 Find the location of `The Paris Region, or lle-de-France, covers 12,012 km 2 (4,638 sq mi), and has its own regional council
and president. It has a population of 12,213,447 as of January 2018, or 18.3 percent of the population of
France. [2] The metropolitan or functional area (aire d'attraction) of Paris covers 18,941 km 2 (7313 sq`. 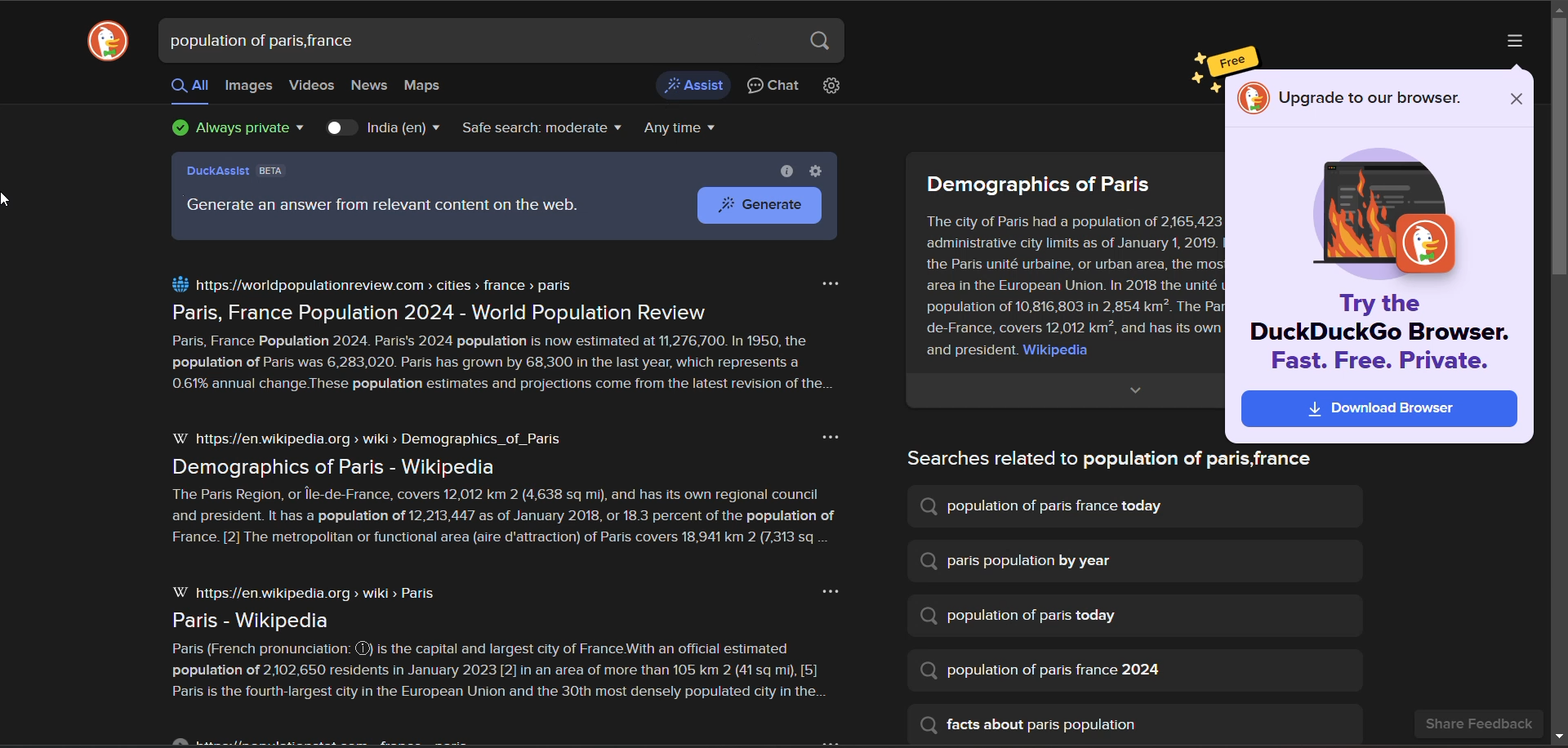

The Paris Region, or lle-de-France, covers 12,012 km 2 (4,638 sq mi), and has its own regional council
and president. It has a population of 12,213,447 as of January 2018, or 18.3 percent of the population of
France. [2] The metropolitan or functional area (aire d'attraction) of Paris covers 18,941 km 2 (7313 sq is located at coordinates (507, 521).